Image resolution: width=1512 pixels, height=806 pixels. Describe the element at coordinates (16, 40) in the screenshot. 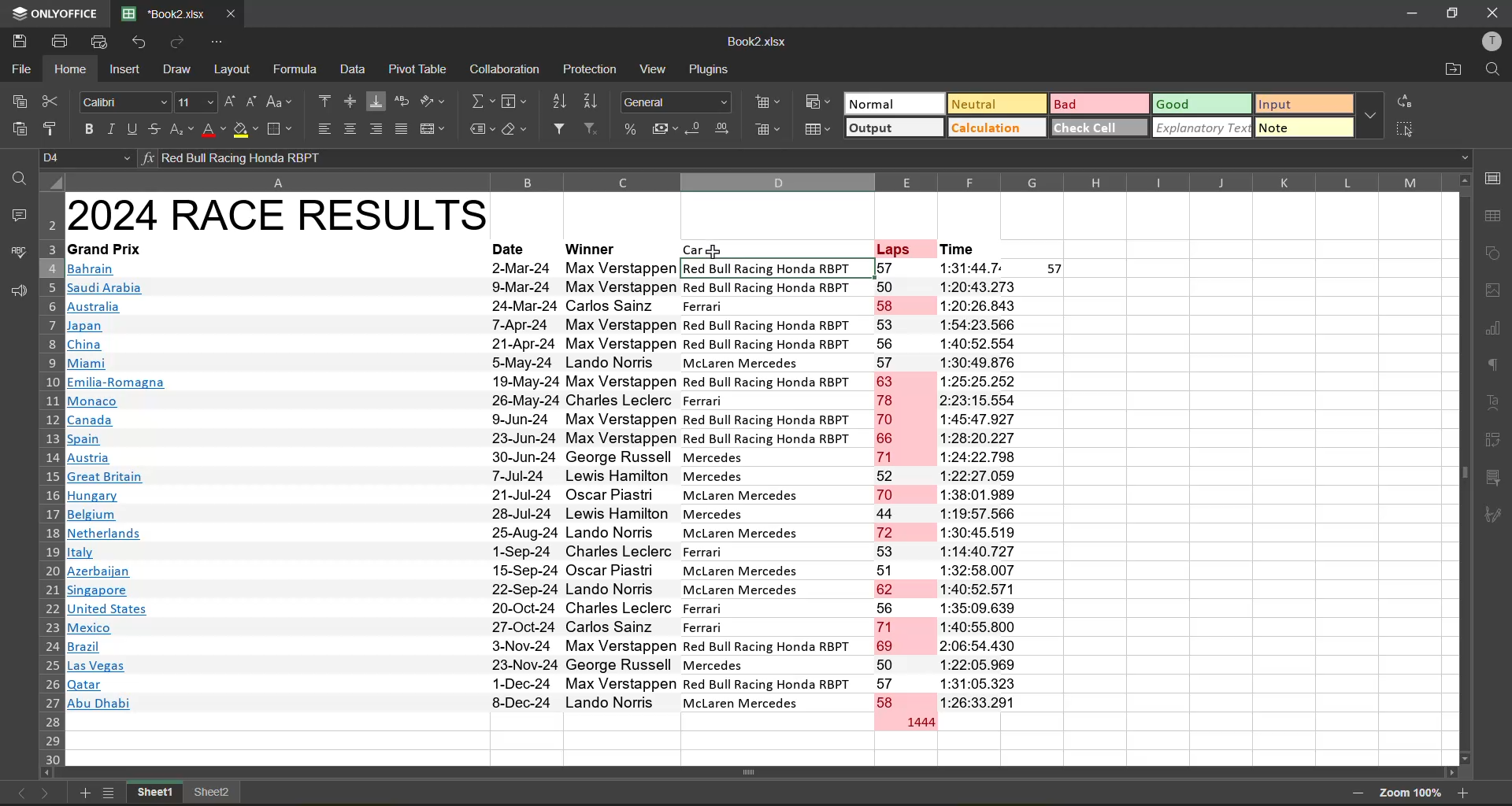

I see `save` at that location.